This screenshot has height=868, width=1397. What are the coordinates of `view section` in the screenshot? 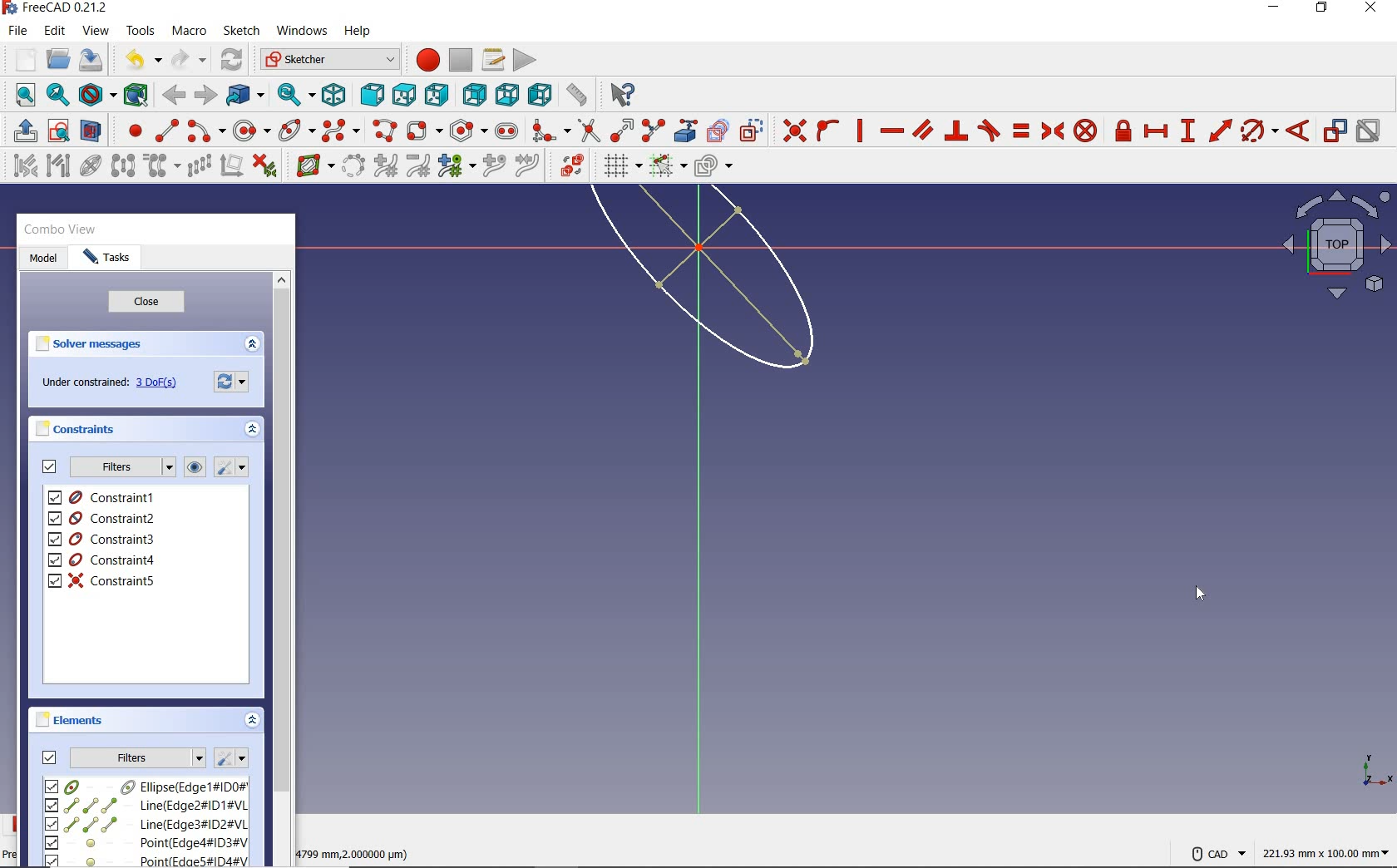 It's located at (94, 131).